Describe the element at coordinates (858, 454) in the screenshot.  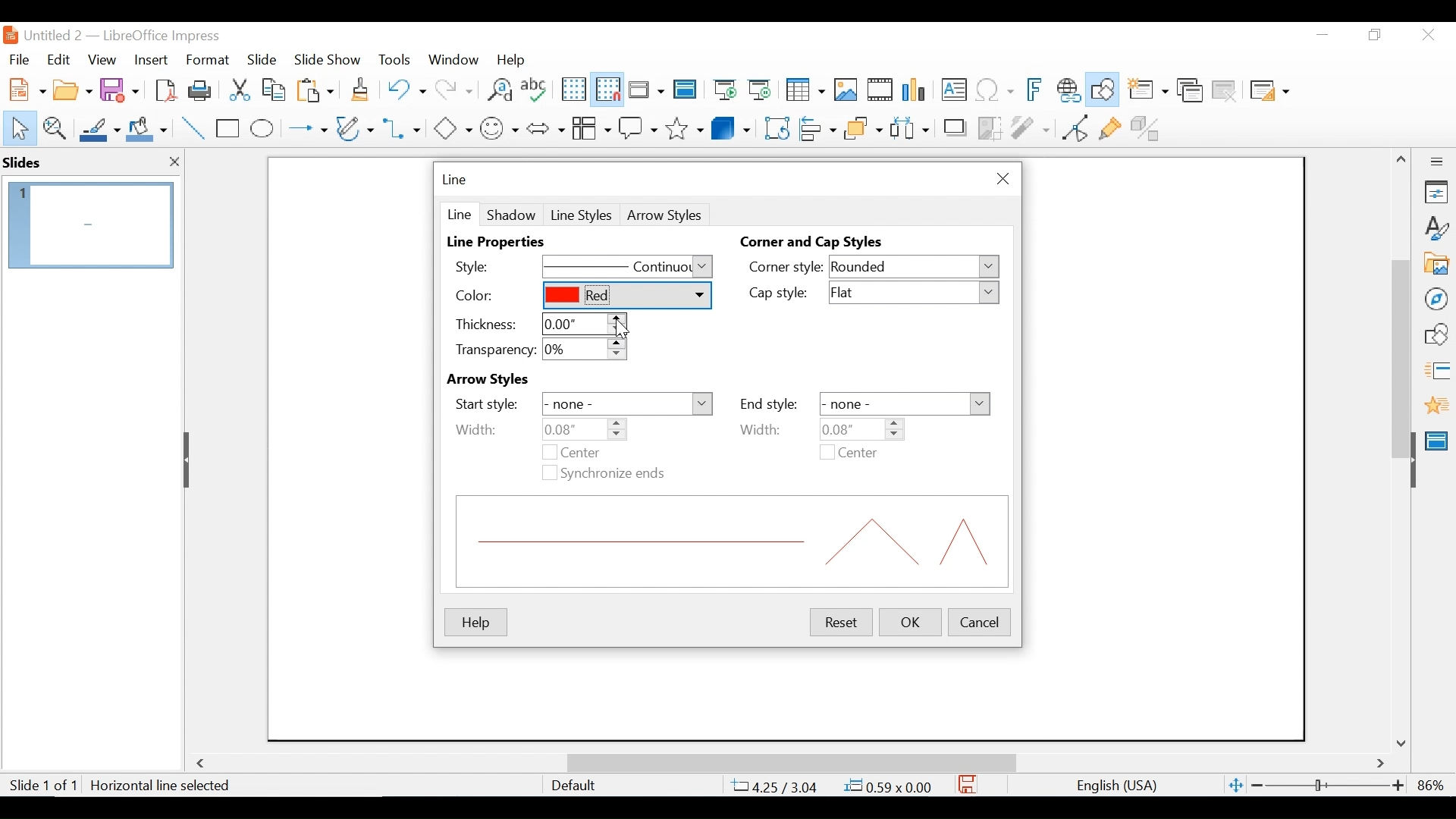
I see `Center` at that location.